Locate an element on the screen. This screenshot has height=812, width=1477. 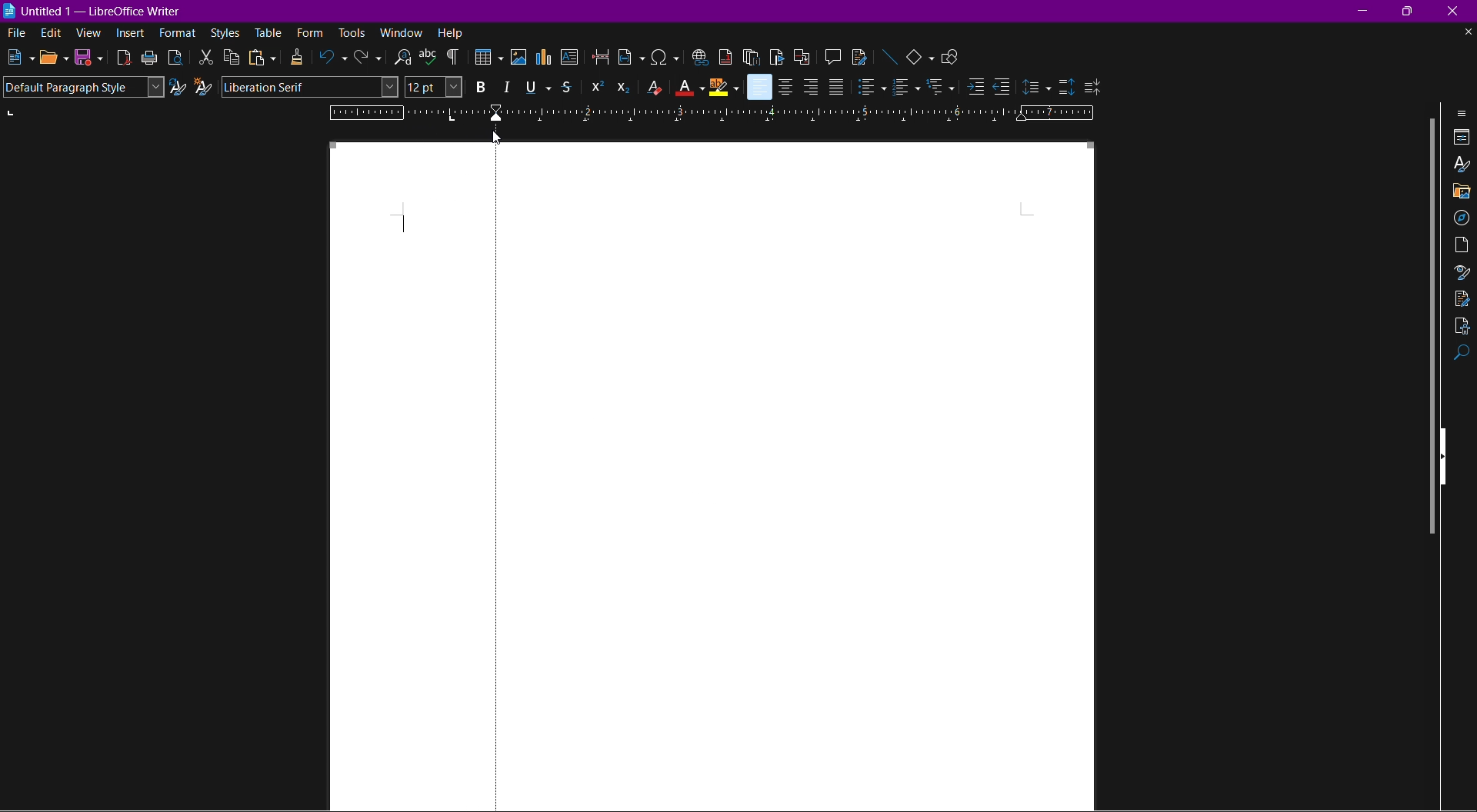
Accessibility Check is located at coordinates (1462, 327).